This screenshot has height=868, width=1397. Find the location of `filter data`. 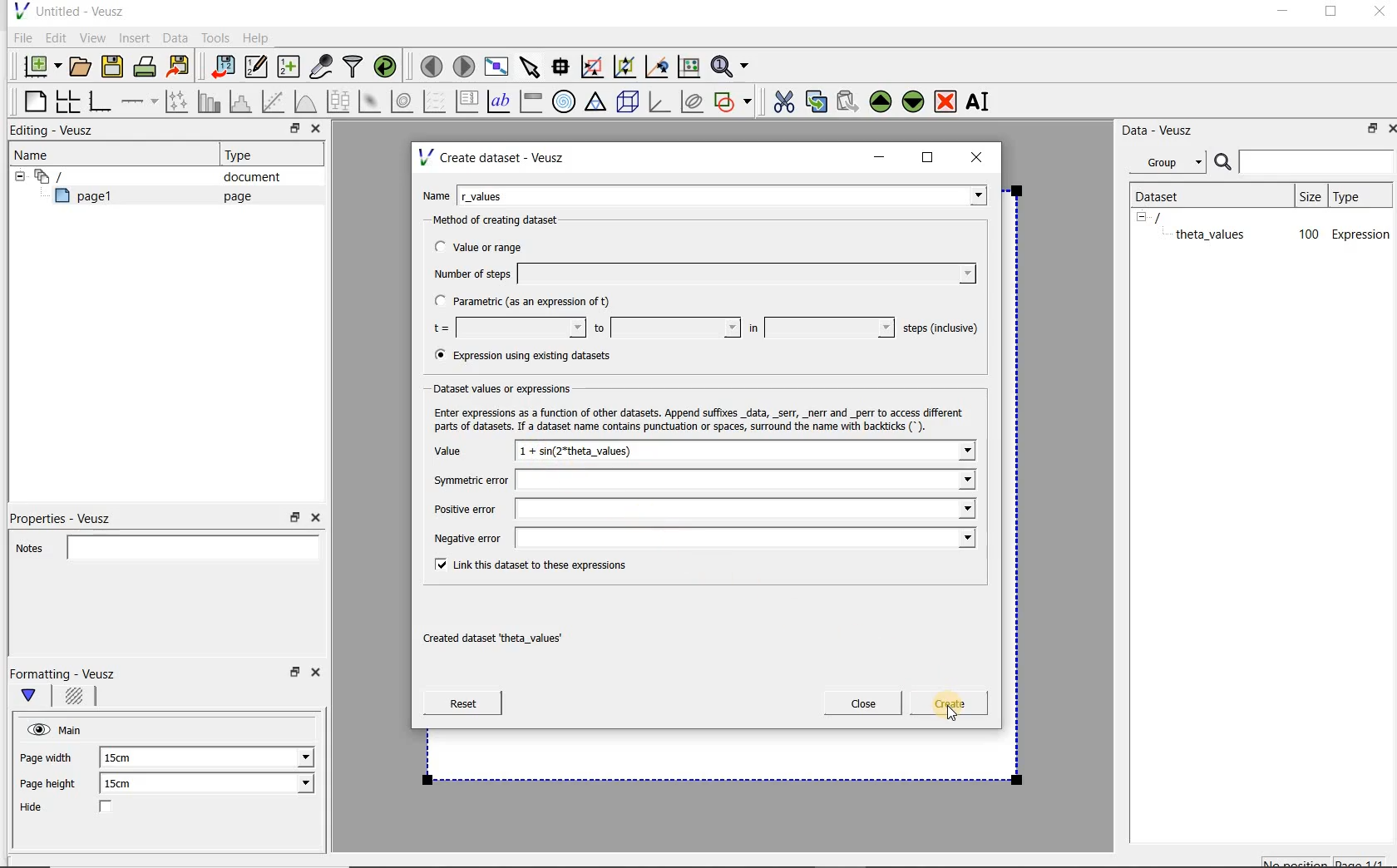

filter data is located at coordinates (353, 68).